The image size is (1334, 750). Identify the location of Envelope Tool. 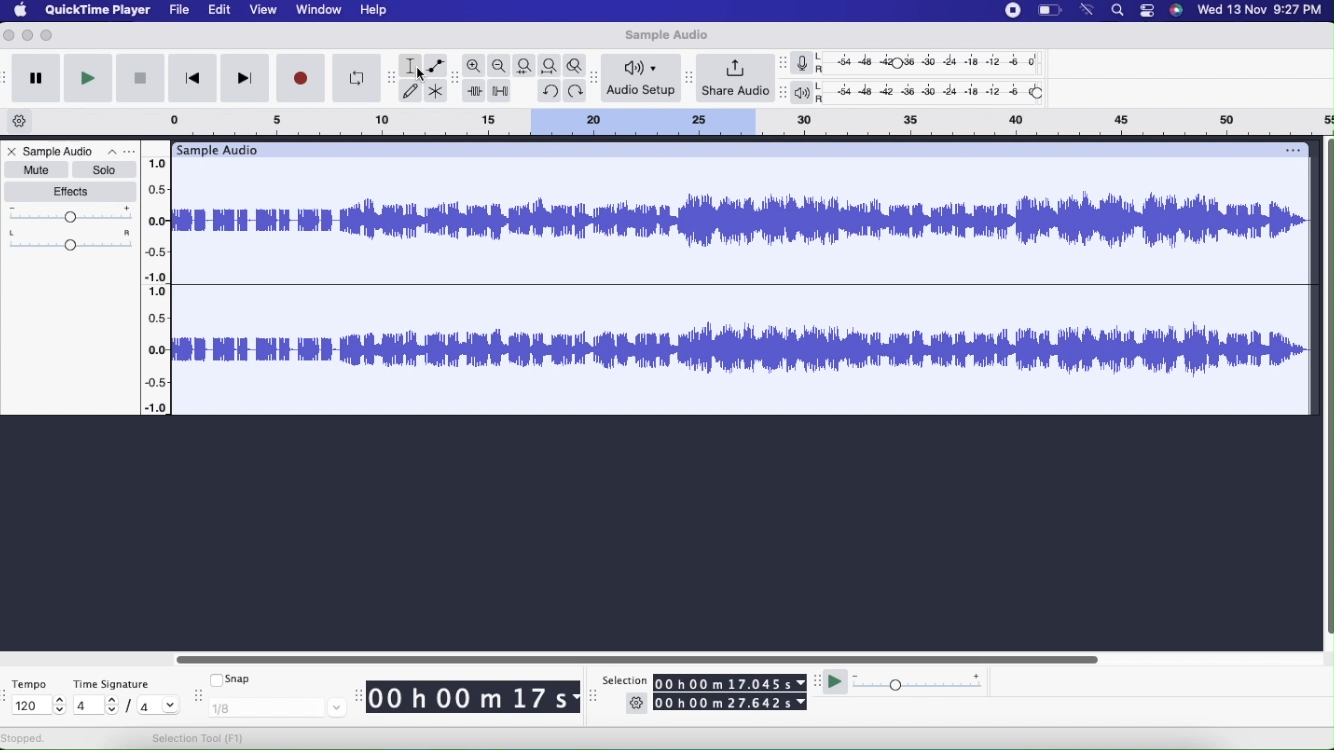
(436, 66).